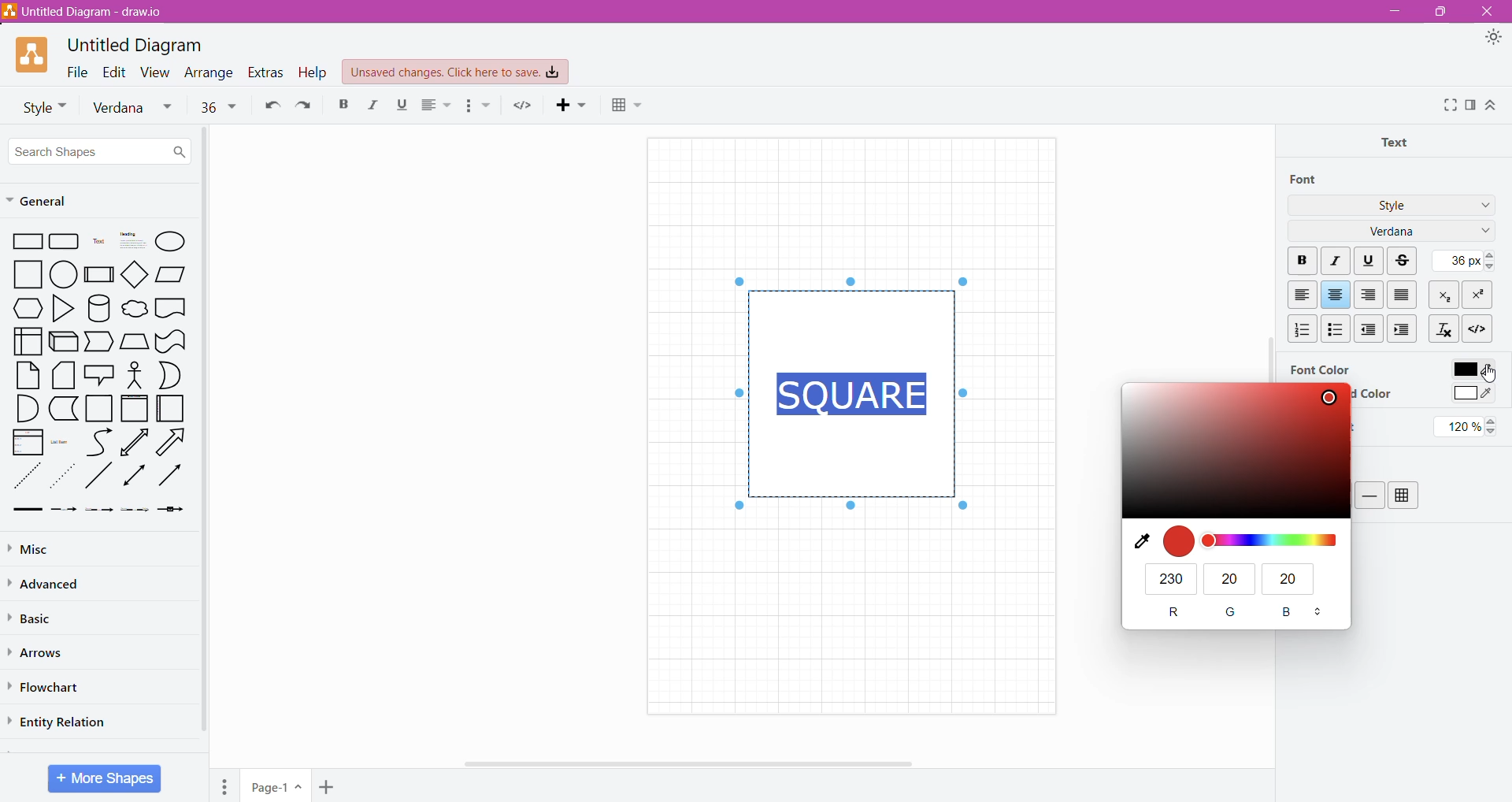 This screenshot has width=1512, height=802. I want to click on Search Shapes, so click(99, 150).